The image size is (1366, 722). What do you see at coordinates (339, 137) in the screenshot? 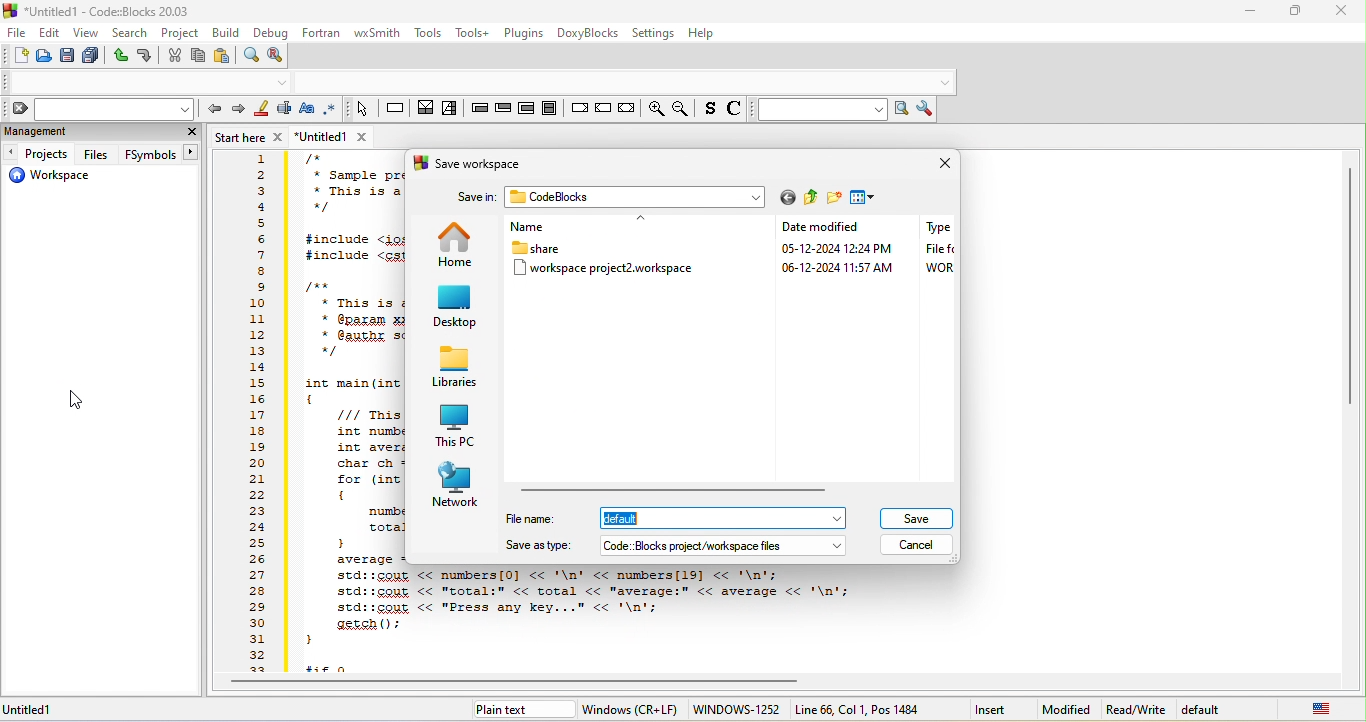
I see `untitled 1` at bounding box center [339, 137].